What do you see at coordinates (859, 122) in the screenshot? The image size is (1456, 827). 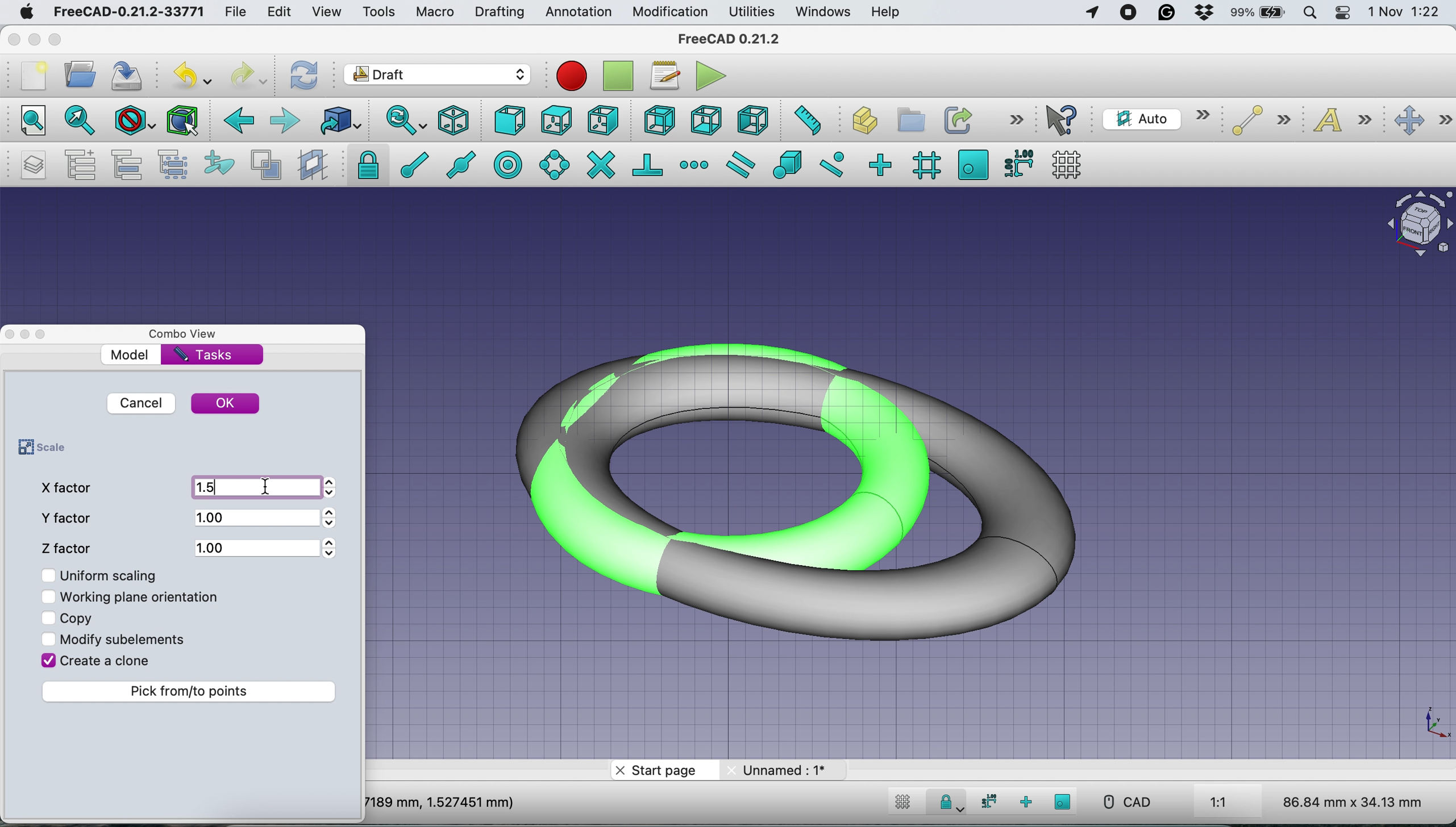 I see `create part` at bounding box center [859, 122].